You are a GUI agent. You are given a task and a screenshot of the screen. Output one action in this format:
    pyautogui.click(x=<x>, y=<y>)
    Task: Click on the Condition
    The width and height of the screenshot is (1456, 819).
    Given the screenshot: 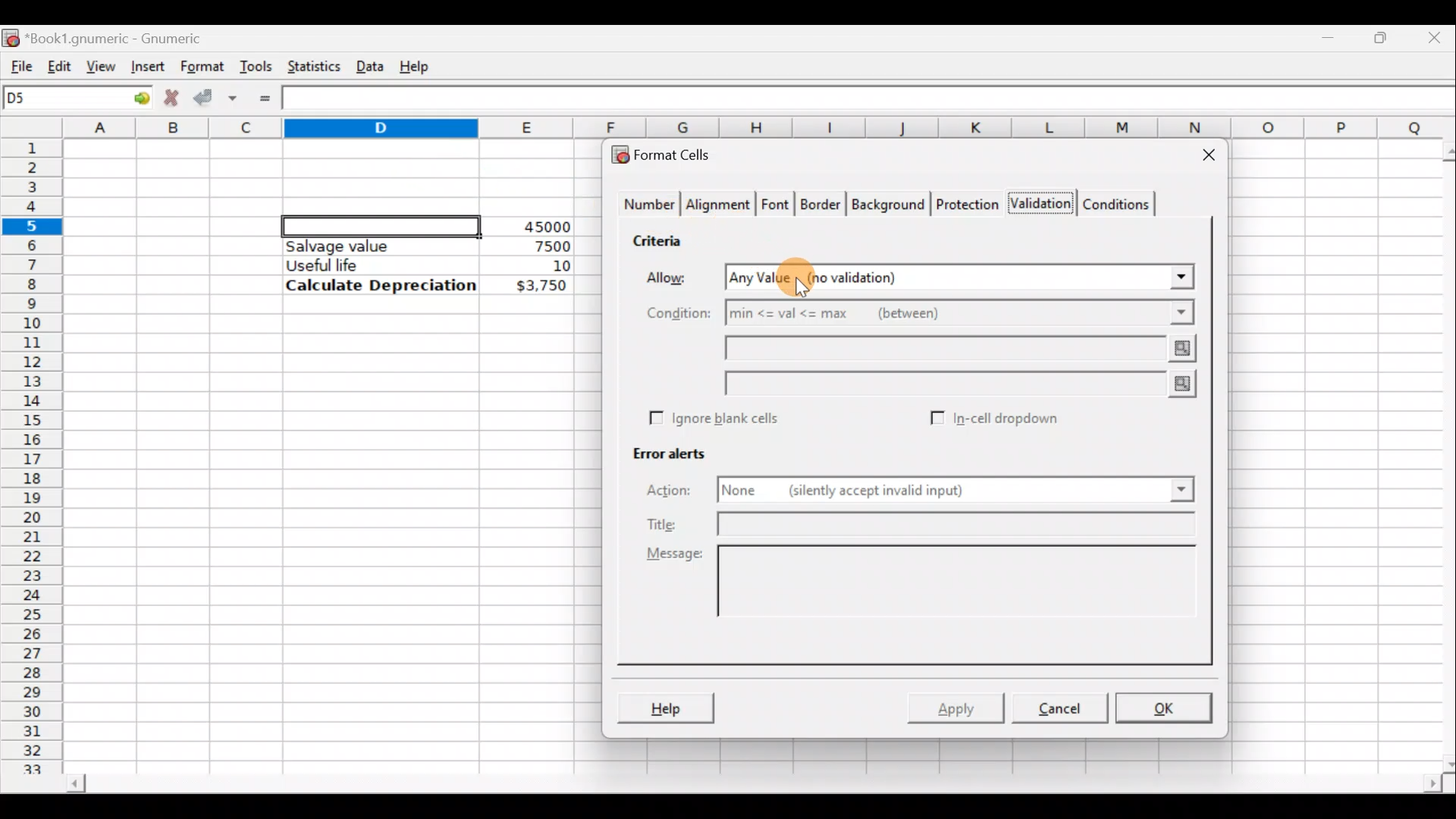 What is the action you would take?
    pyautogui.click(x=678, y=311)
    